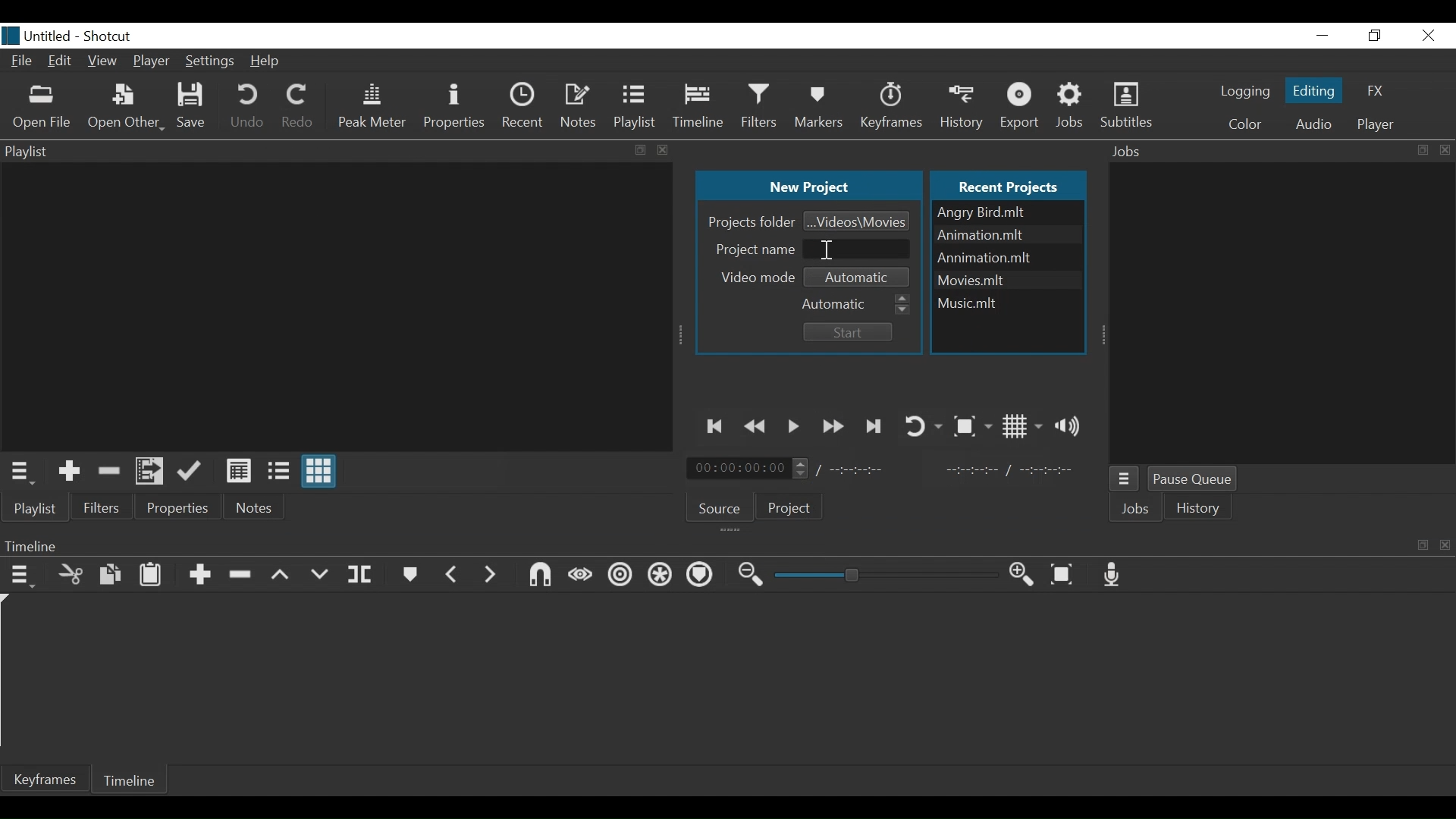 The width and height of the screenshot is (1456, 819). Describe the element at coordinates (278, 471) in the screenshot. I see `View as file` at that location.